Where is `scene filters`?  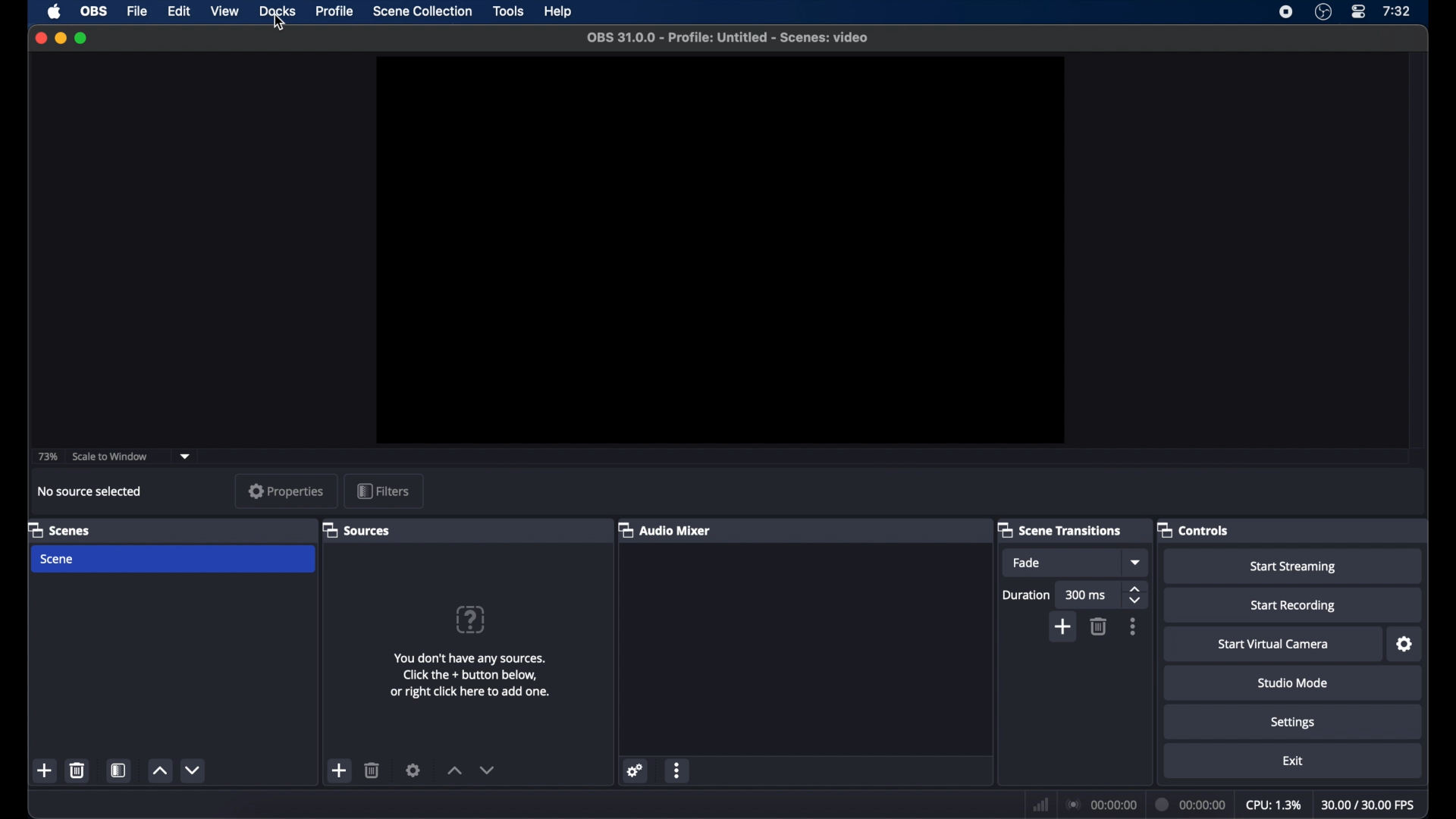
scene filters is located at coordinates (118, 770).